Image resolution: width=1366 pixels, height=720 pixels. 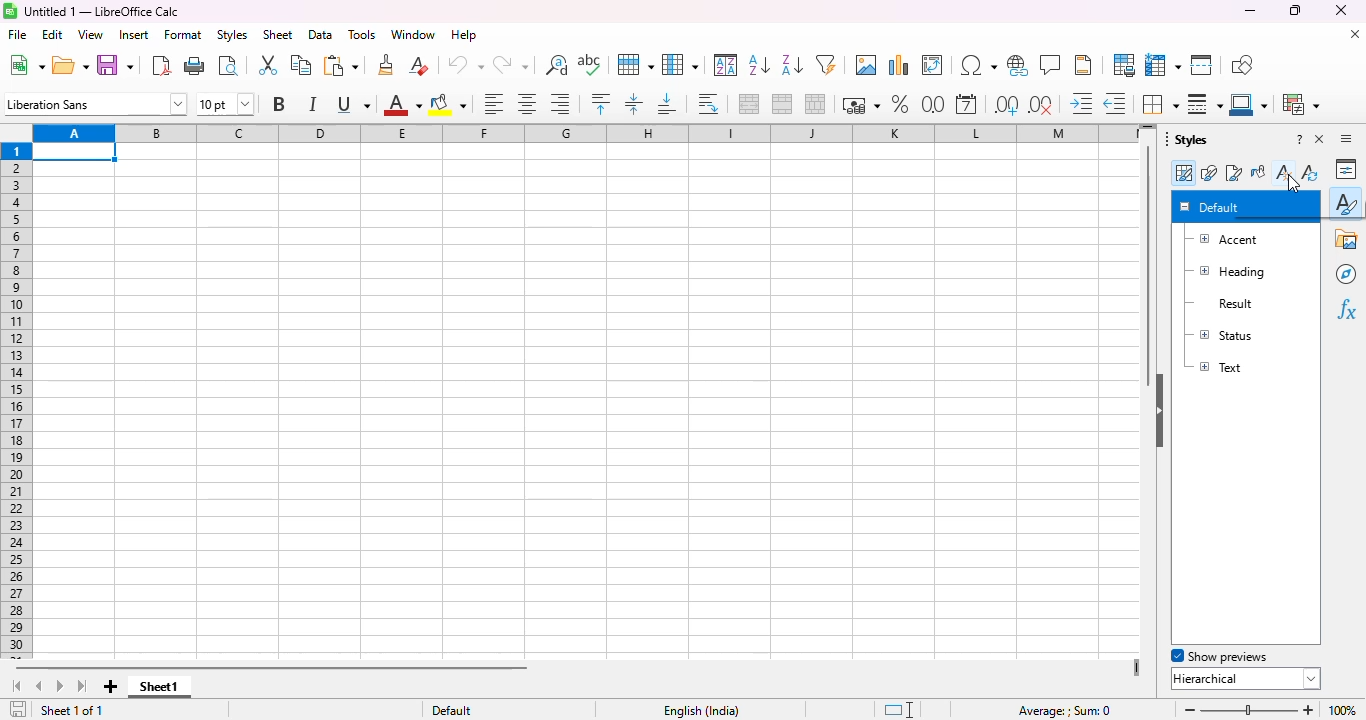 I want to click on horizontal scroll bar, so click(x=322, y=668).